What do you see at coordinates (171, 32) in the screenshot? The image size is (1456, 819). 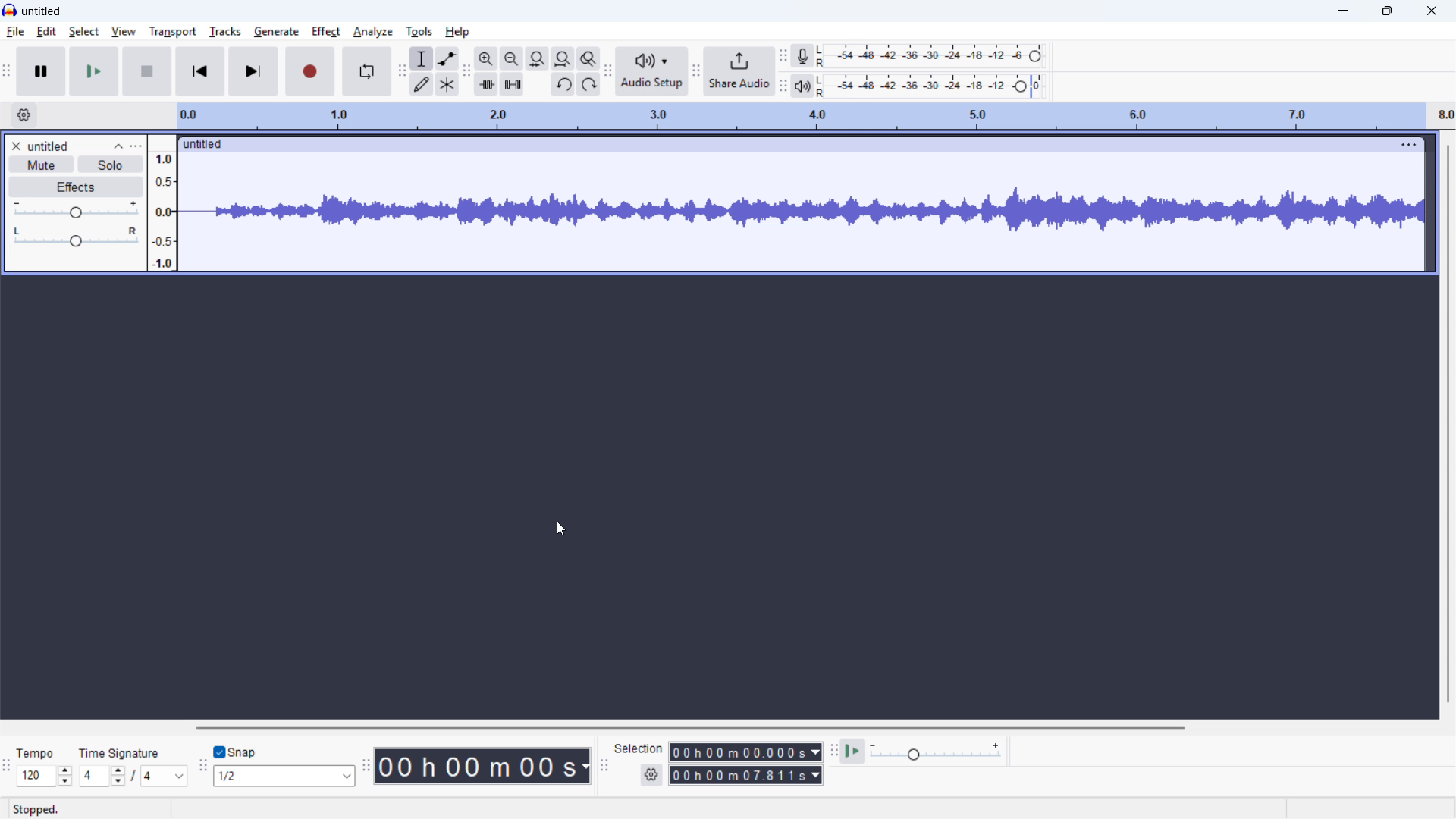 I see `transport` at bounding box center [171, 32].